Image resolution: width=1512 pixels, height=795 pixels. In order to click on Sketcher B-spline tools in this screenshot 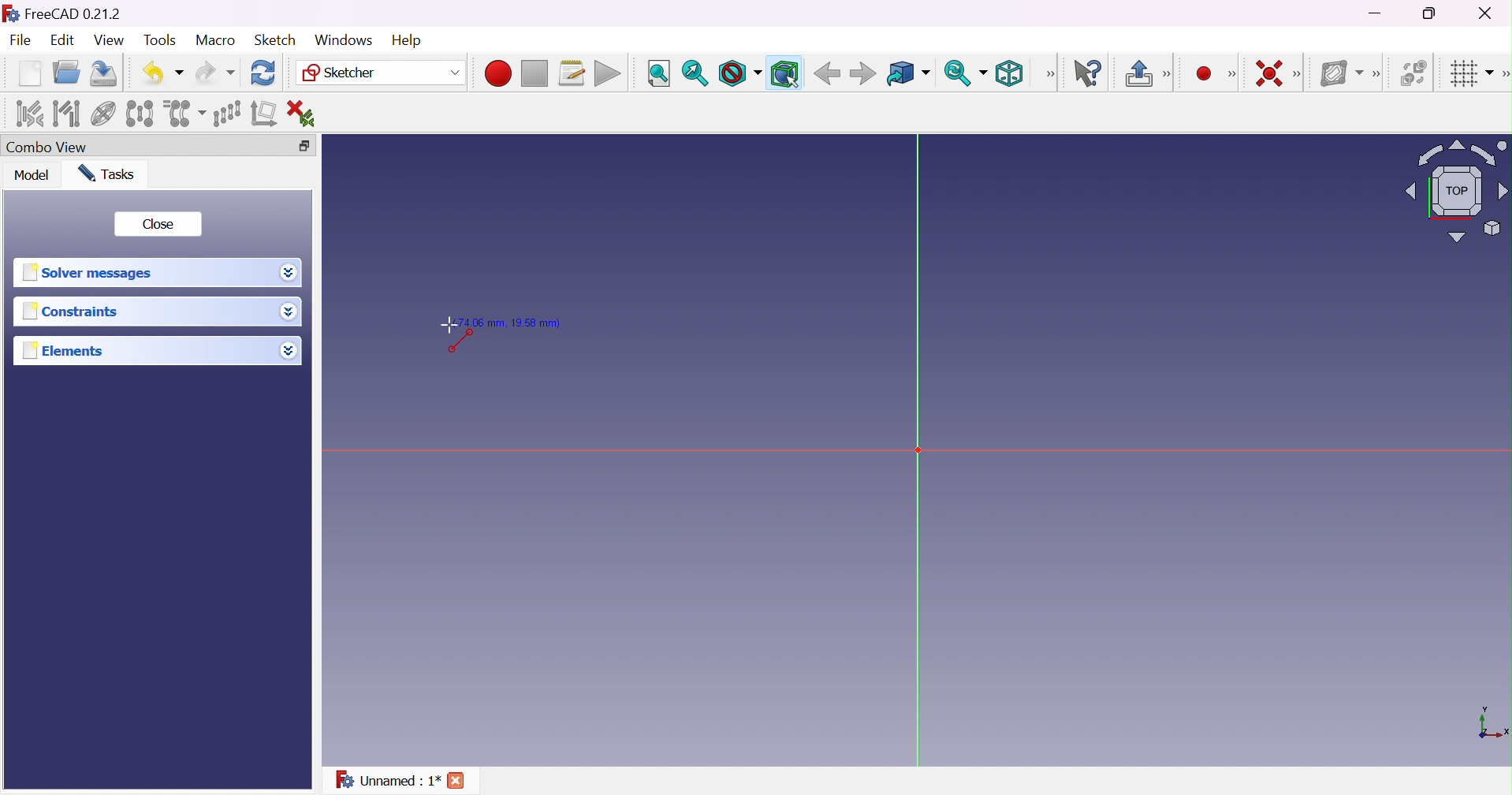, I will do `click(1381, 76)`.